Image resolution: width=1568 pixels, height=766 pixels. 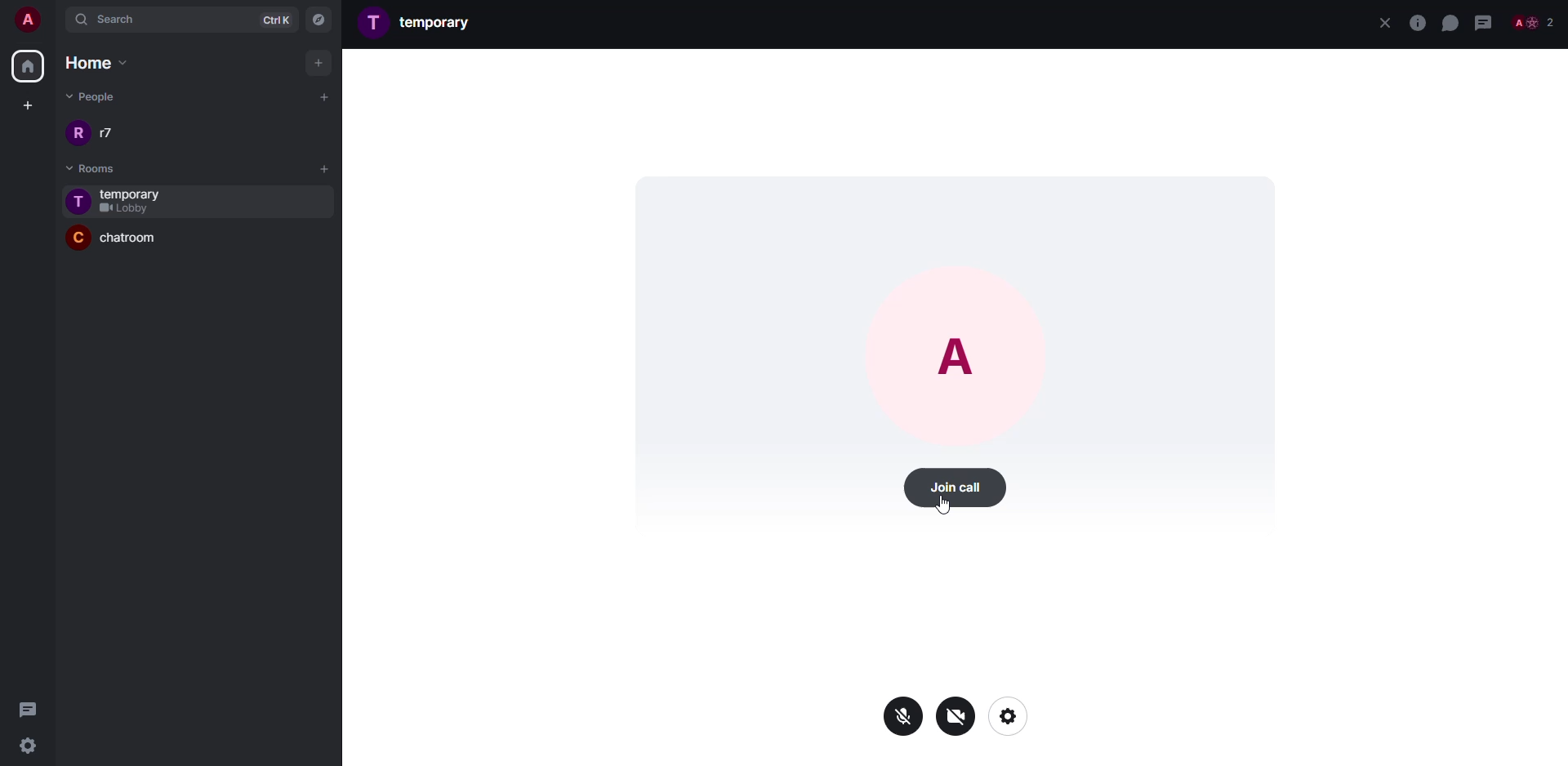 What do you see at coordinates (271, 19) in the screenshot?
I see `ctrlK` at bounding box center [271, 19].